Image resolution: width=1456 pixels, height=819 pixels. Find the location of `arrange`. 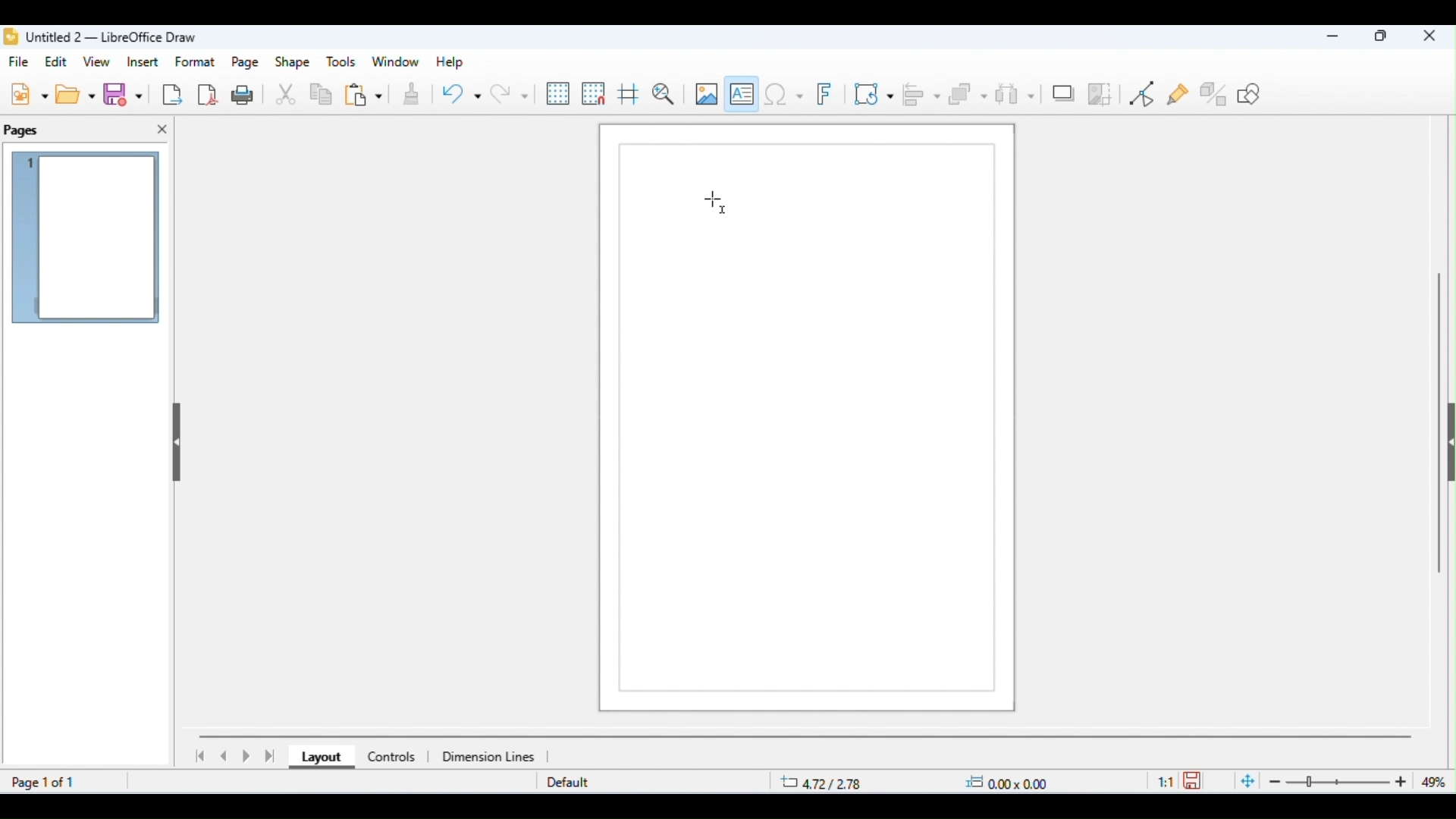

arrange is located at coordinates (968, 95).